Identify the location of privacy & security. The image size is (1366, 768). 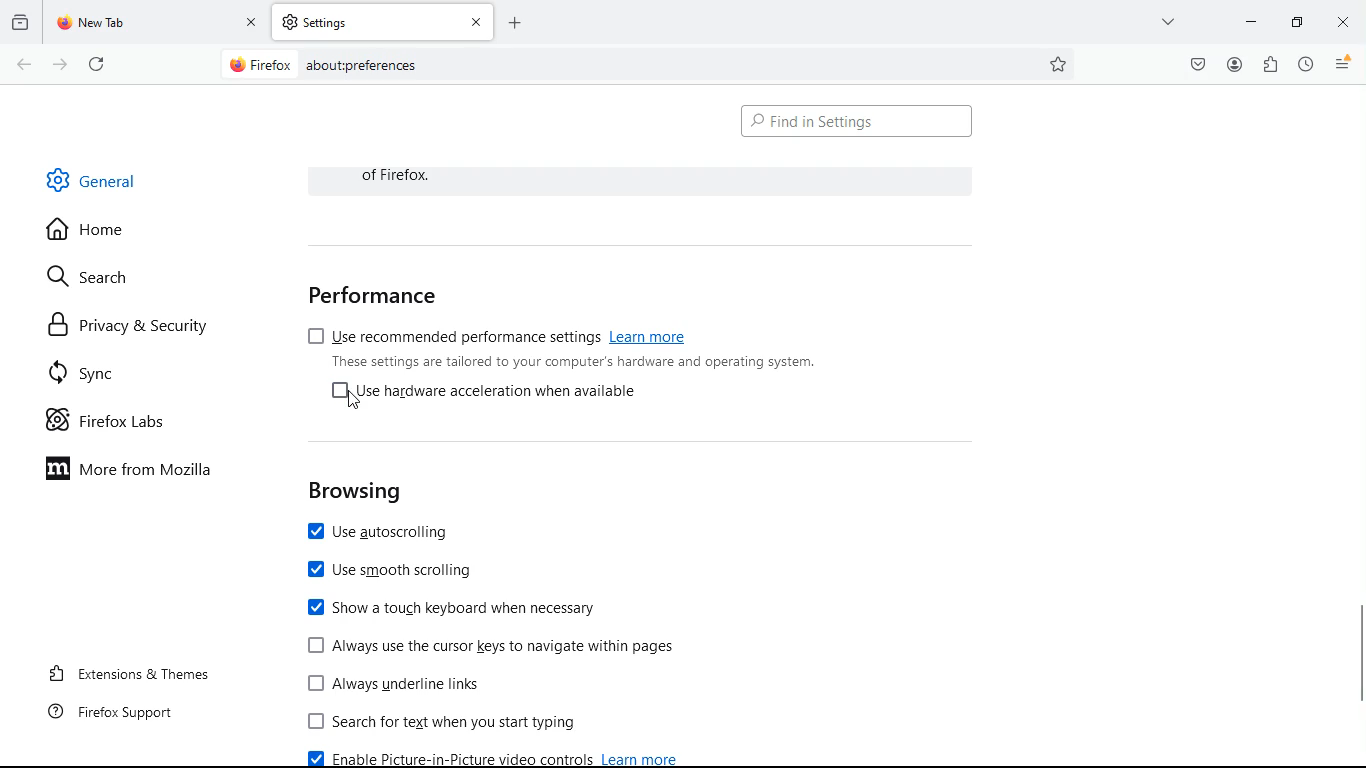
(130, 325).